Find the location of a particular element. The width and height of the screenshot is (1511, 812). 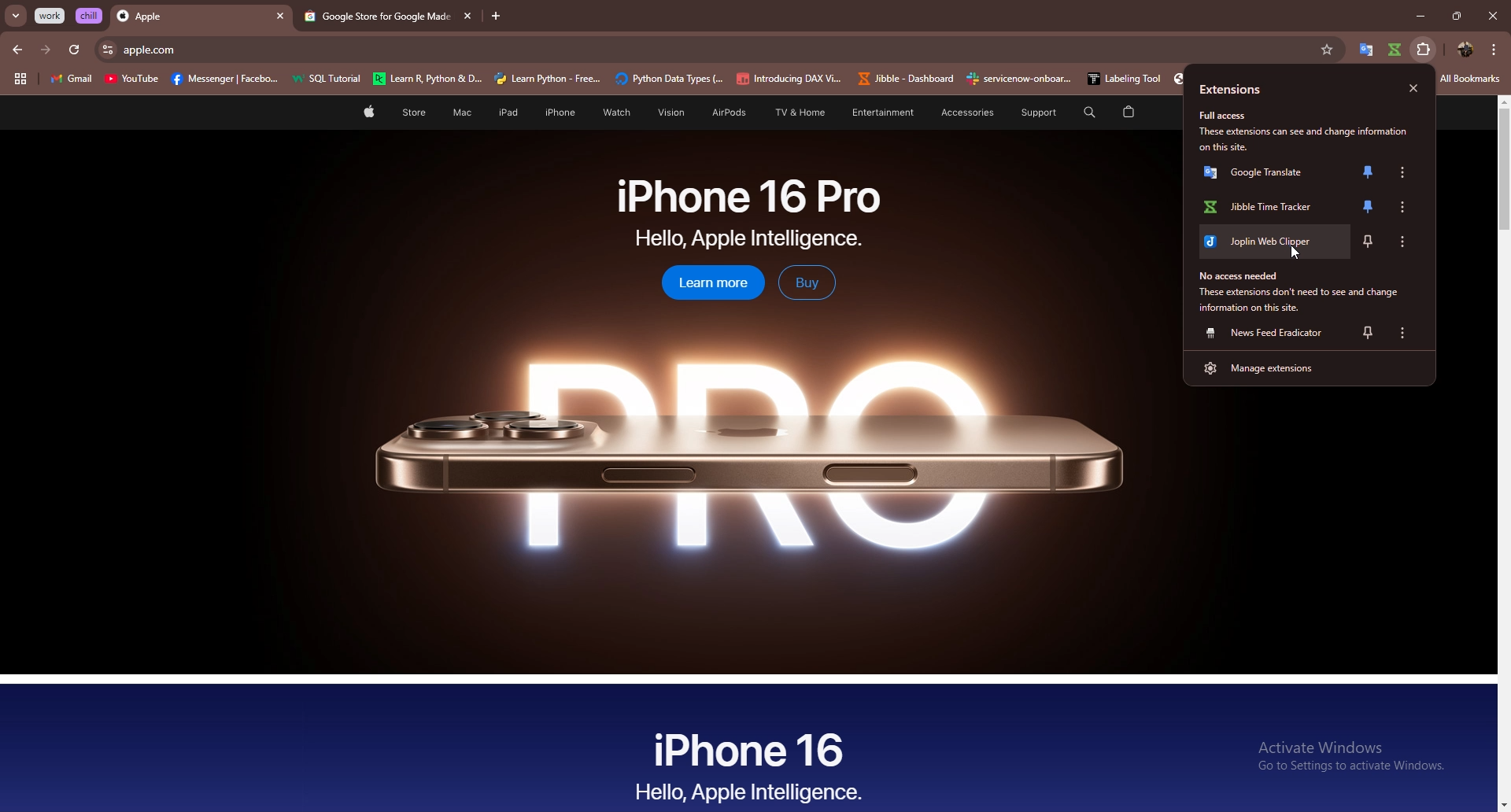

unpin/pin is located at coordinates (1369, 172).